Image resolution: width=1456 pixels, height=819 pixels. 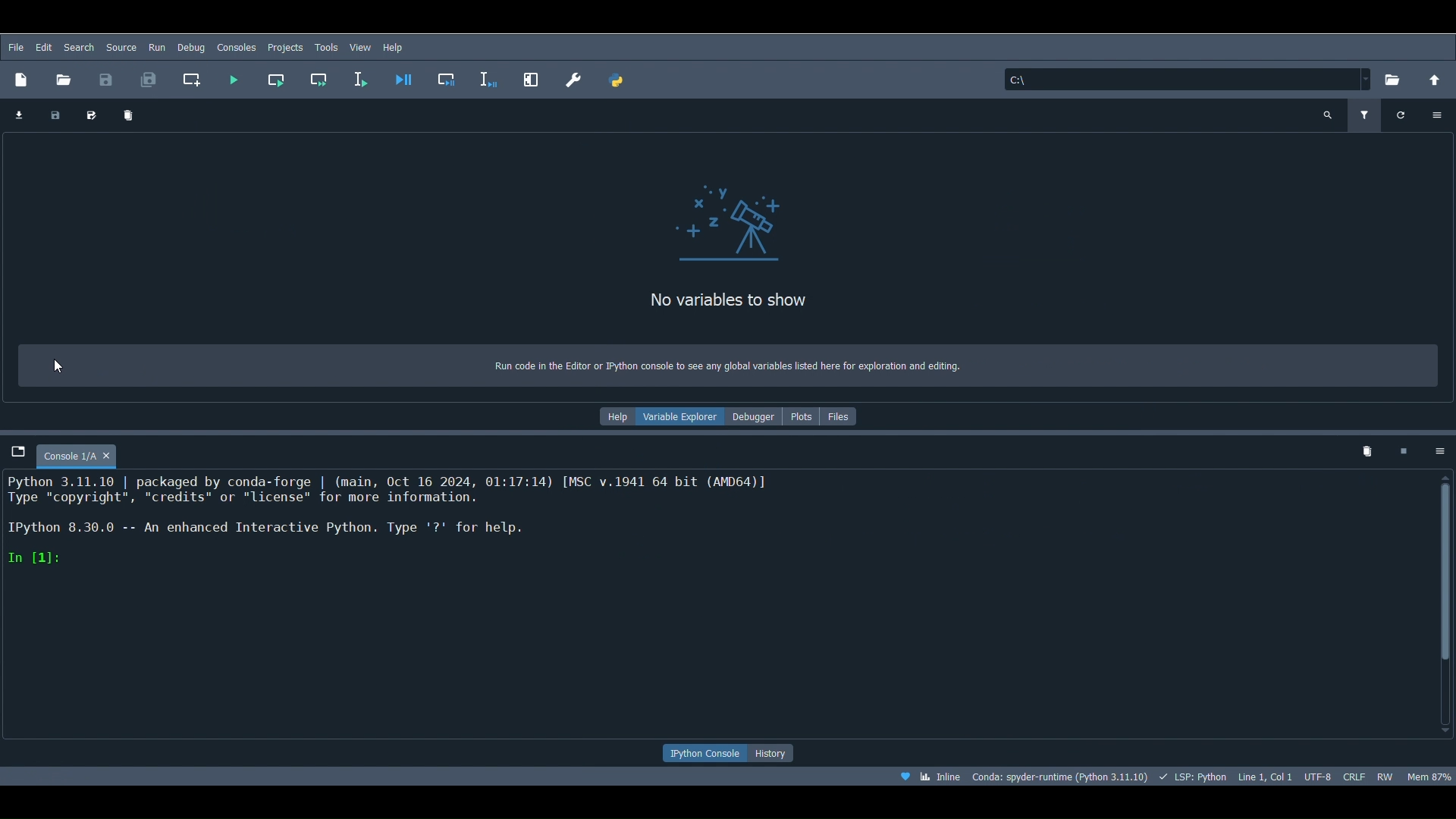 I want to click on Run code in the Editor or Python console to see any global variables listed here for exploration and editing., so click(x=729, y=363).